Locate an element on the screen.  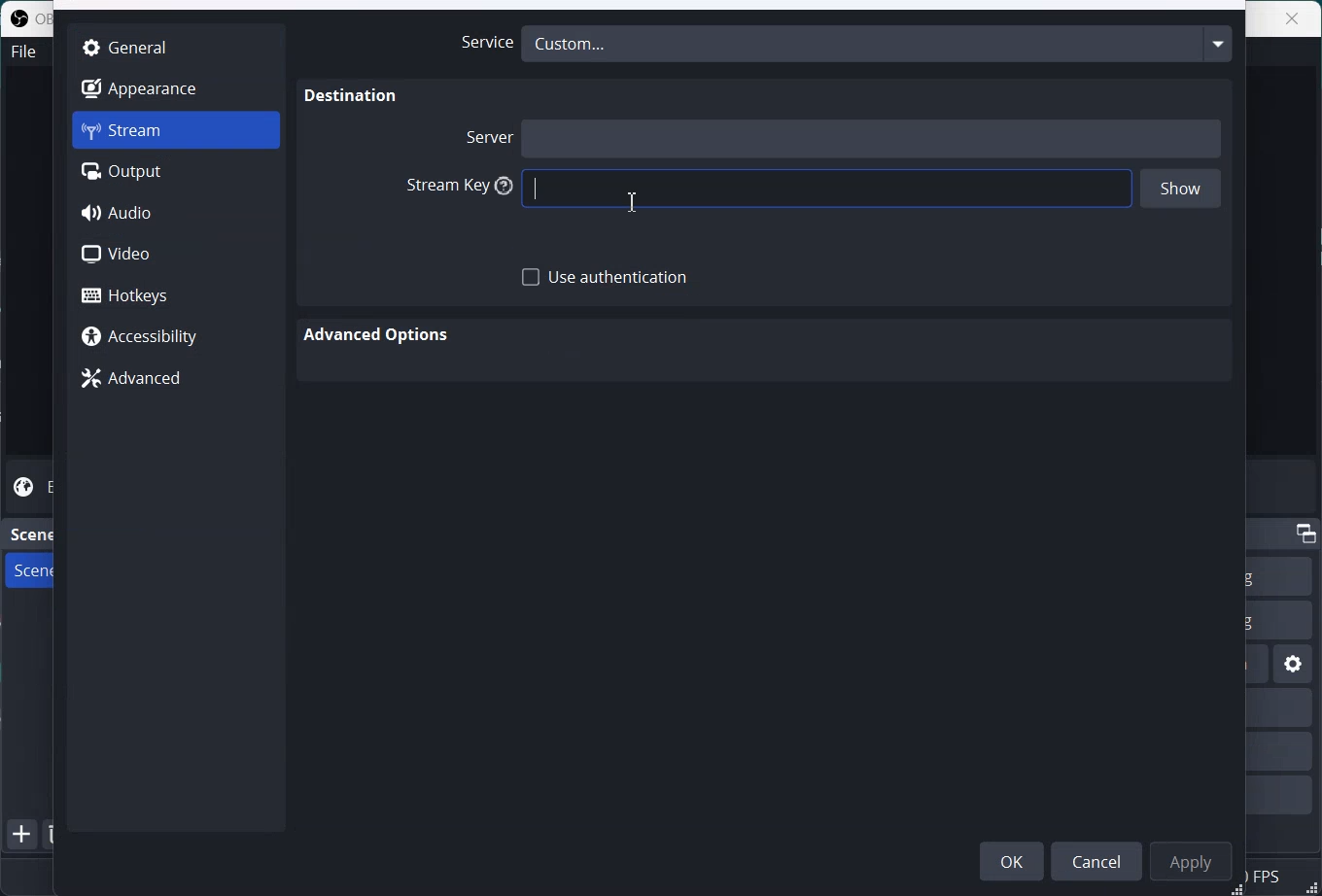
Stream key input is located at coordinates (825, 190).